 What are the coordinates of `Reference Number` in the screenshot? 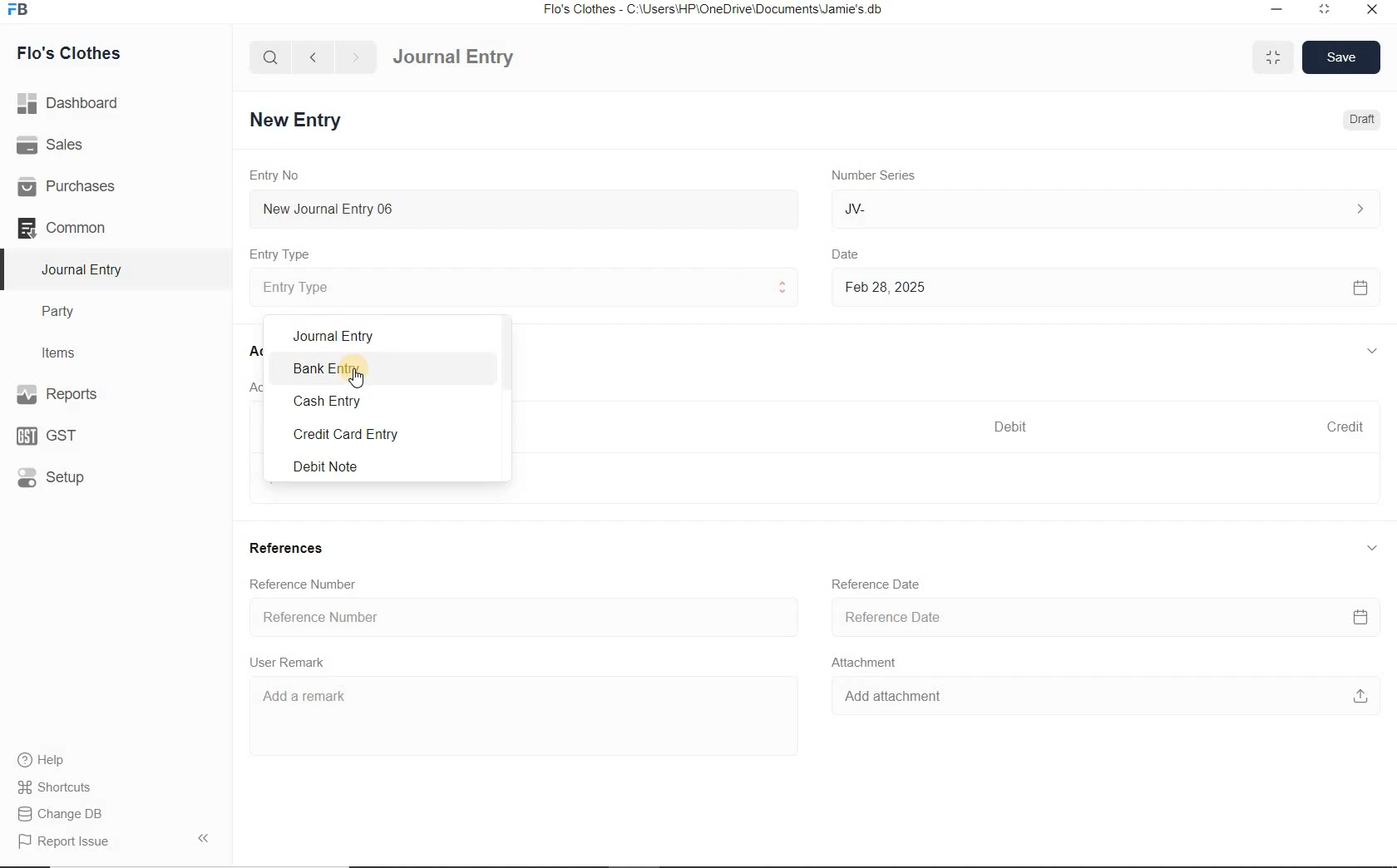 It's located at (523, 617).